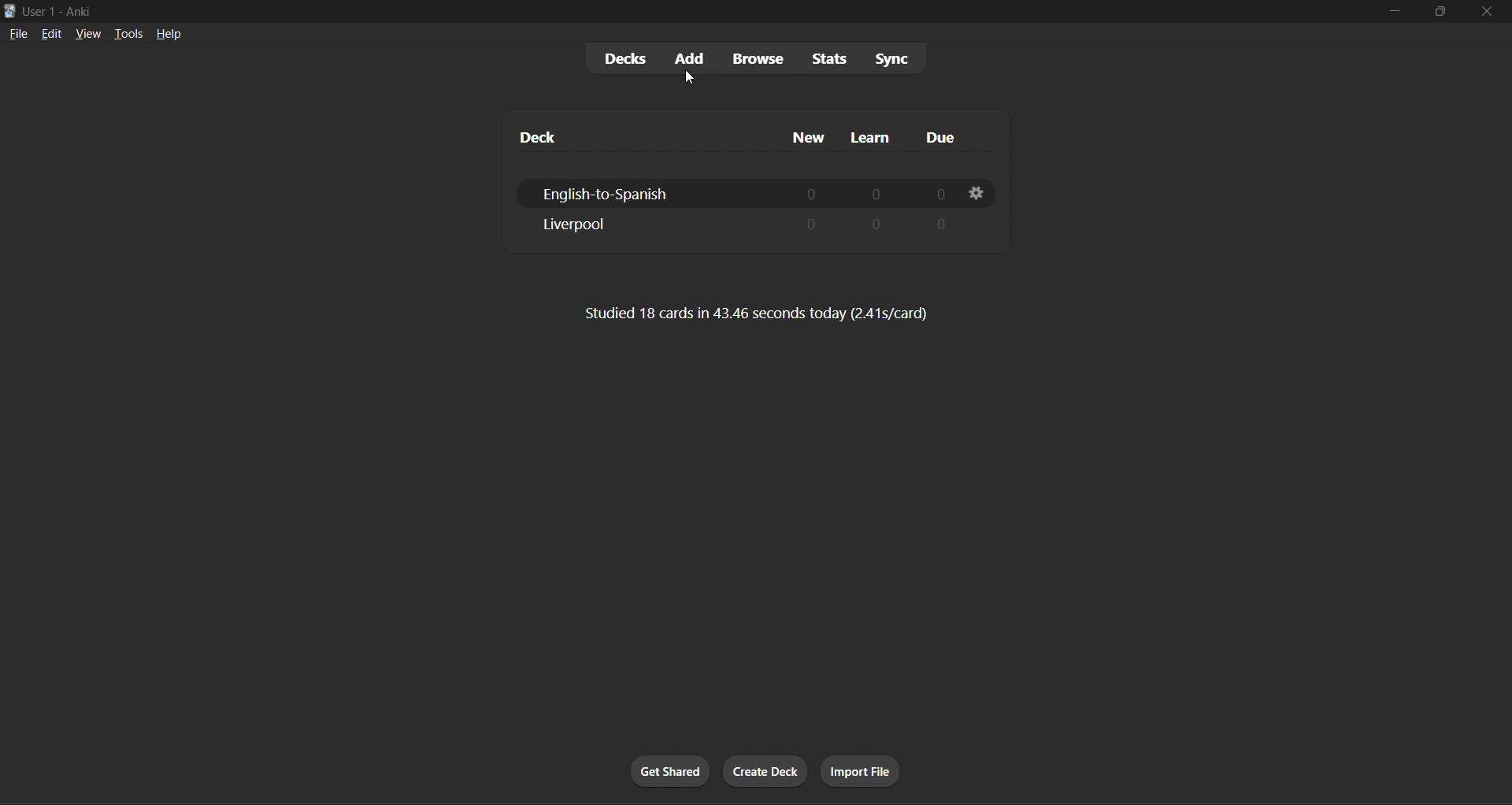 The image size is (1512, 805). Describe the element at coordinates (47, 31) in the screenshot. I see `edit` at that location.